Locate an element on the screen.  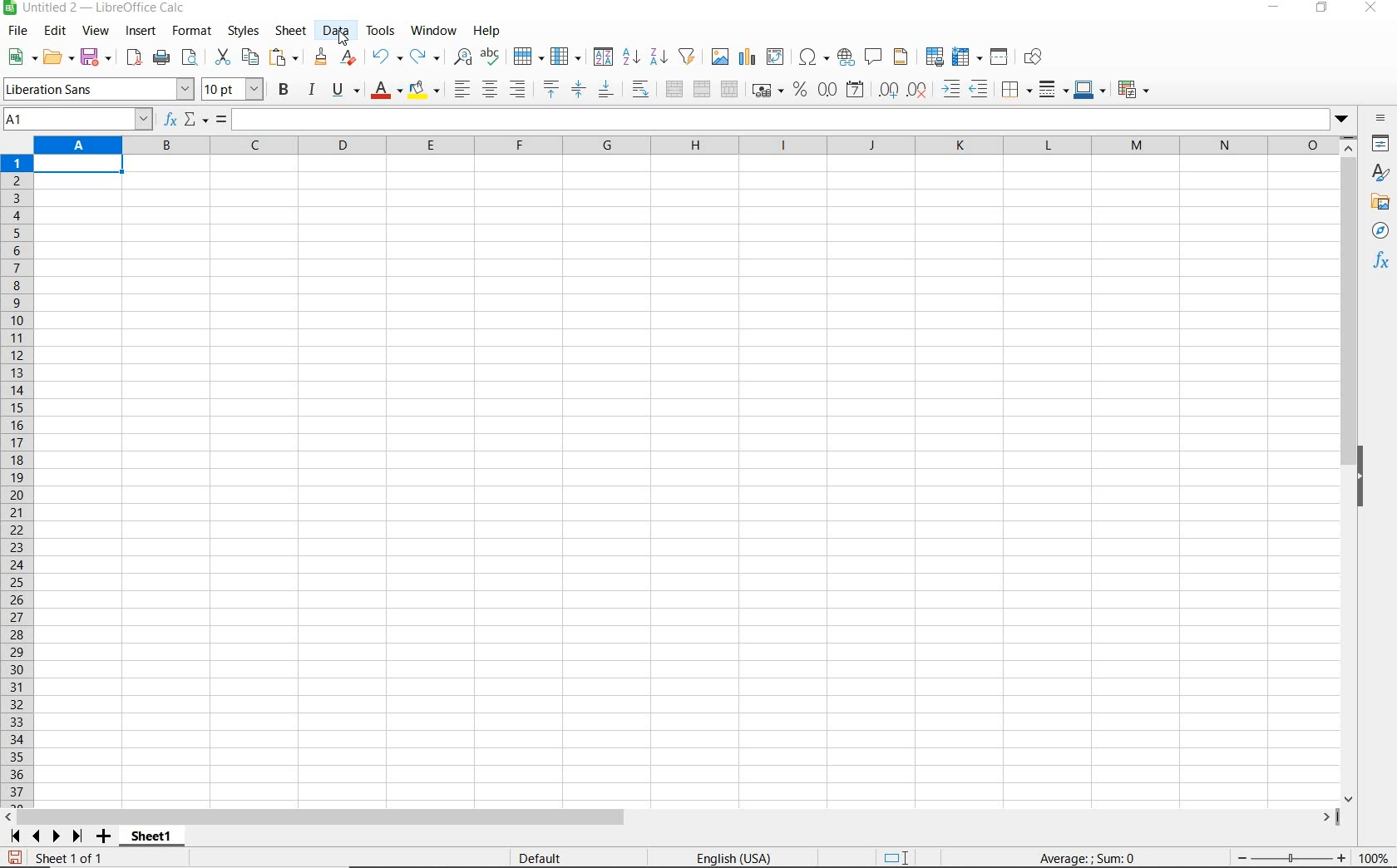
headers and footers is located at coordinates (904, 57).